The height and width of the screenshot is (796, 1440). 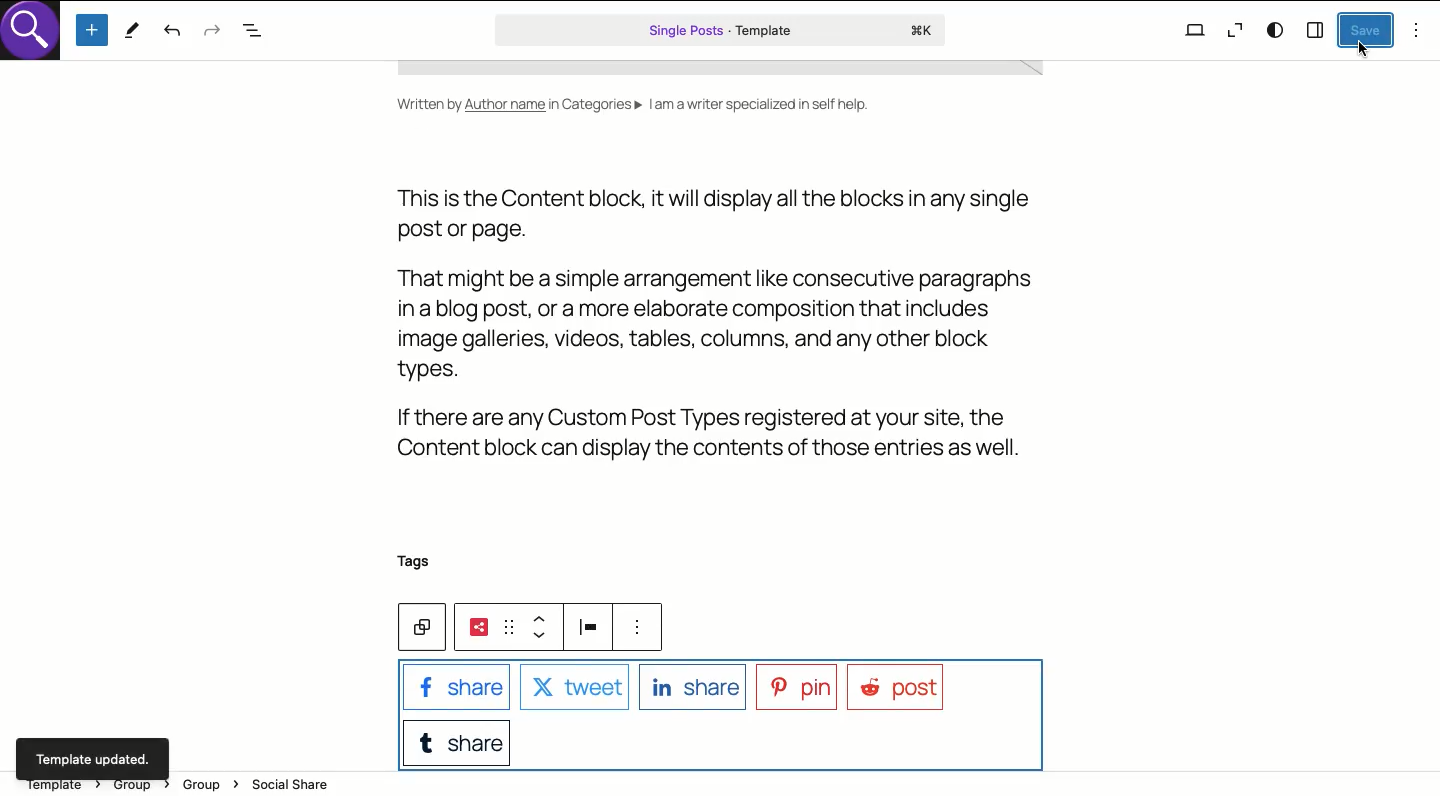 What do you see at coordinates (722, 30) in the screenshot?
I see `Single posts template` at bounding box center [722, 30].